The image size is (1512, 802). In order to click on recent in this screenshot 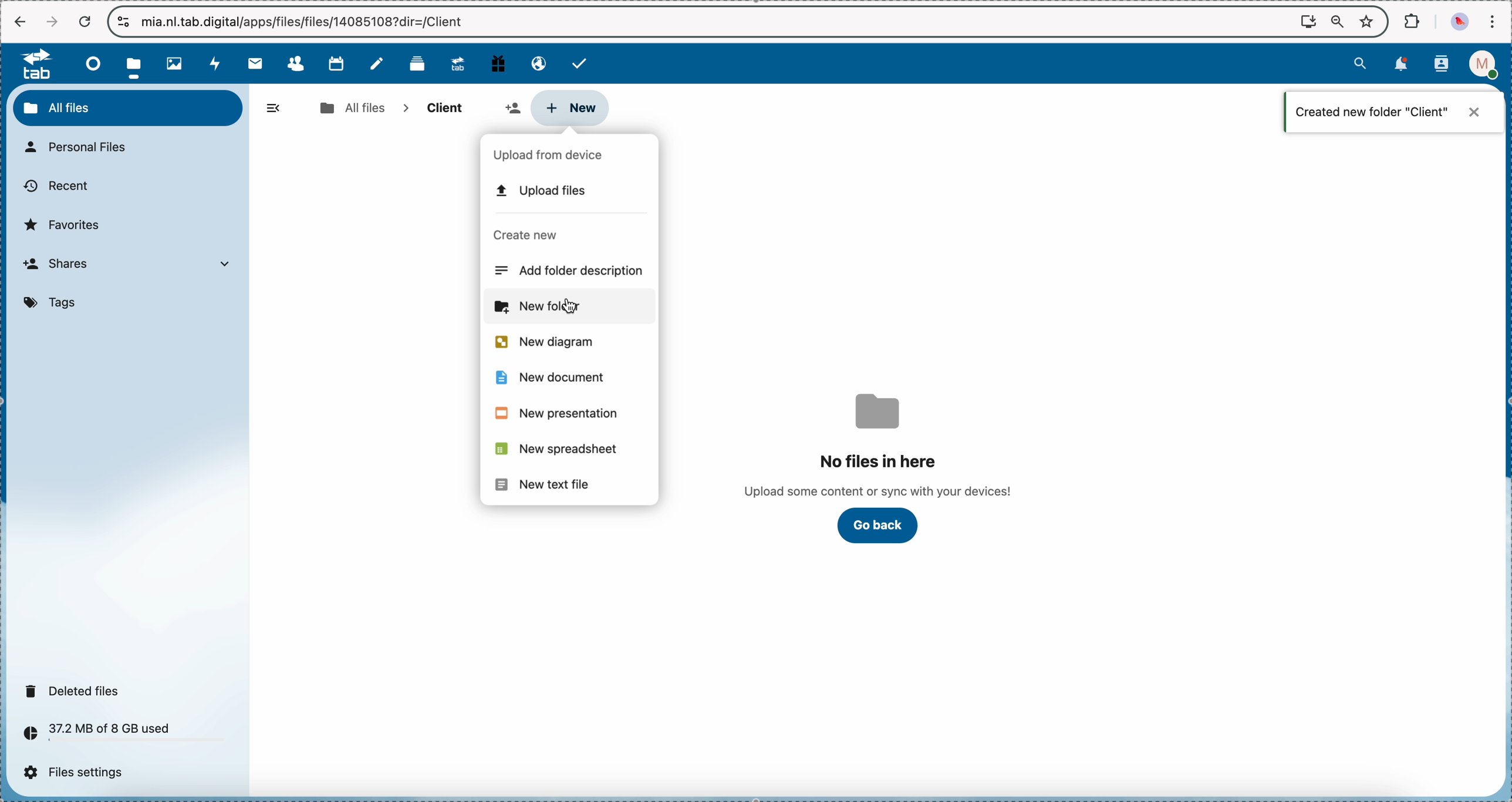, I will do `click(55, 187)`.